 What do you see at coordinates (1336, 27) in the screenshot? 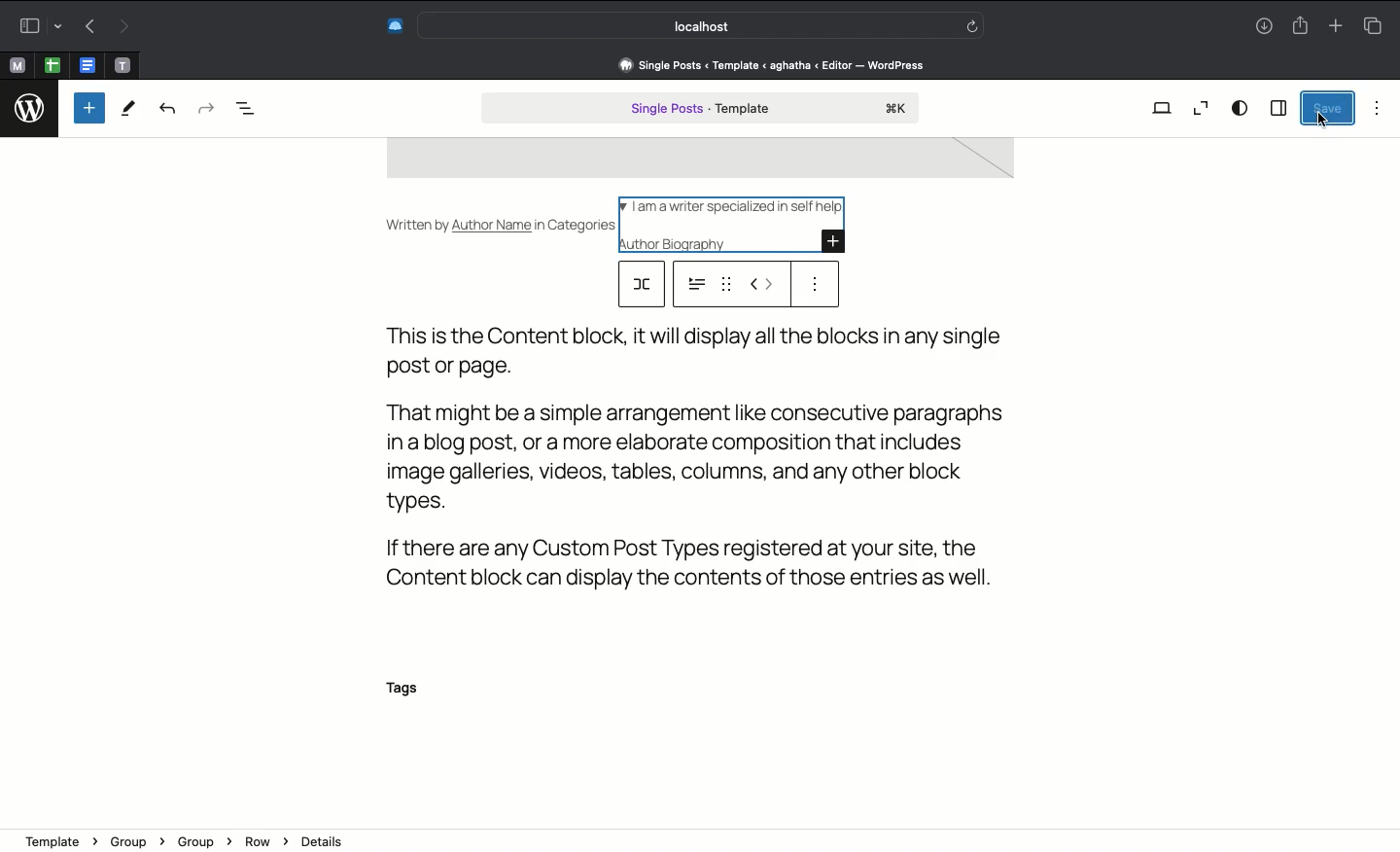
I see `New tab` at bounding box center [1336, 27].